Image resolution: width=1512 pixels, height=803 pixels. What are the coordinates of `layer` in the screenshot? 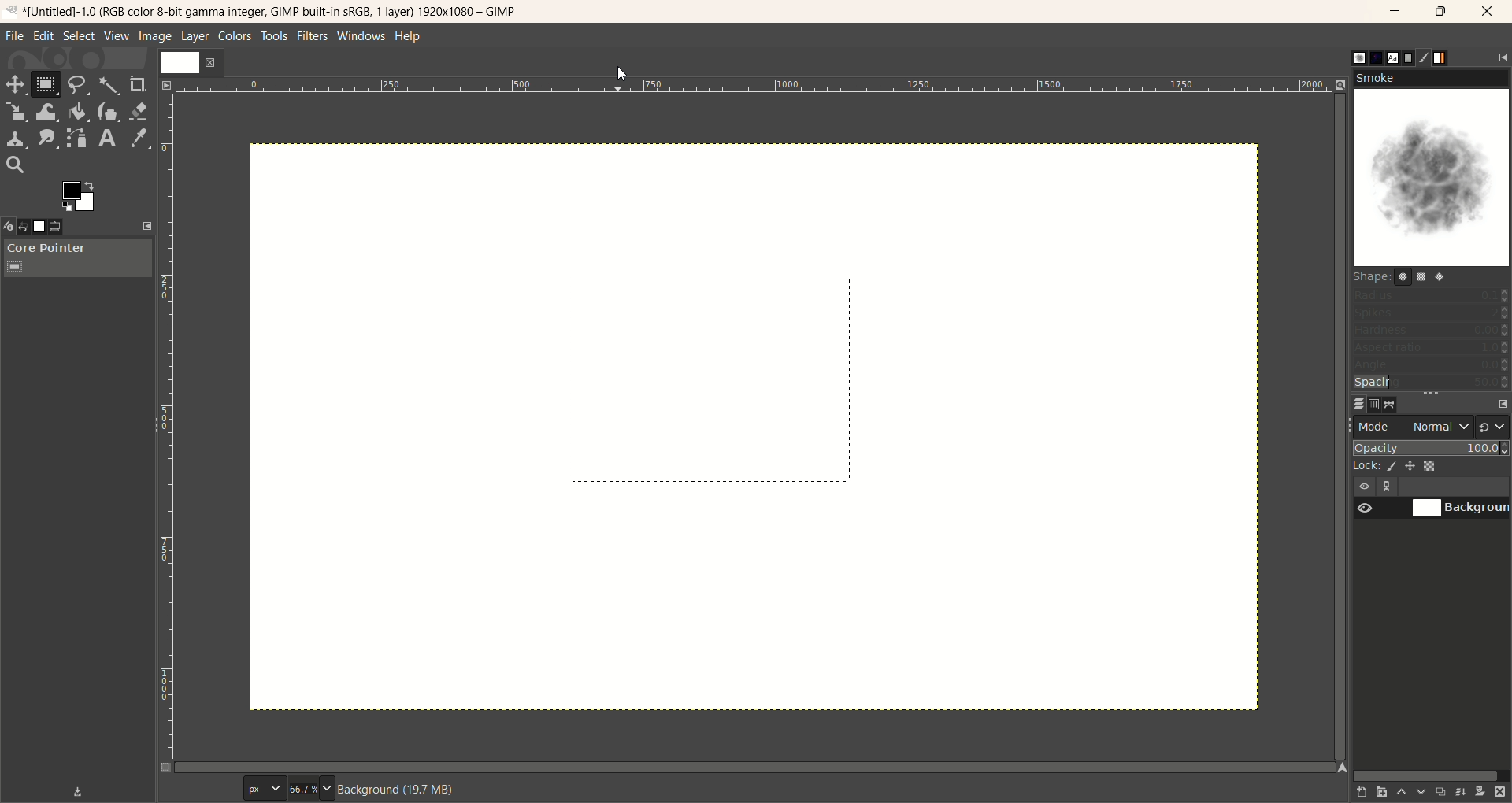 It's located at (1358, 405).